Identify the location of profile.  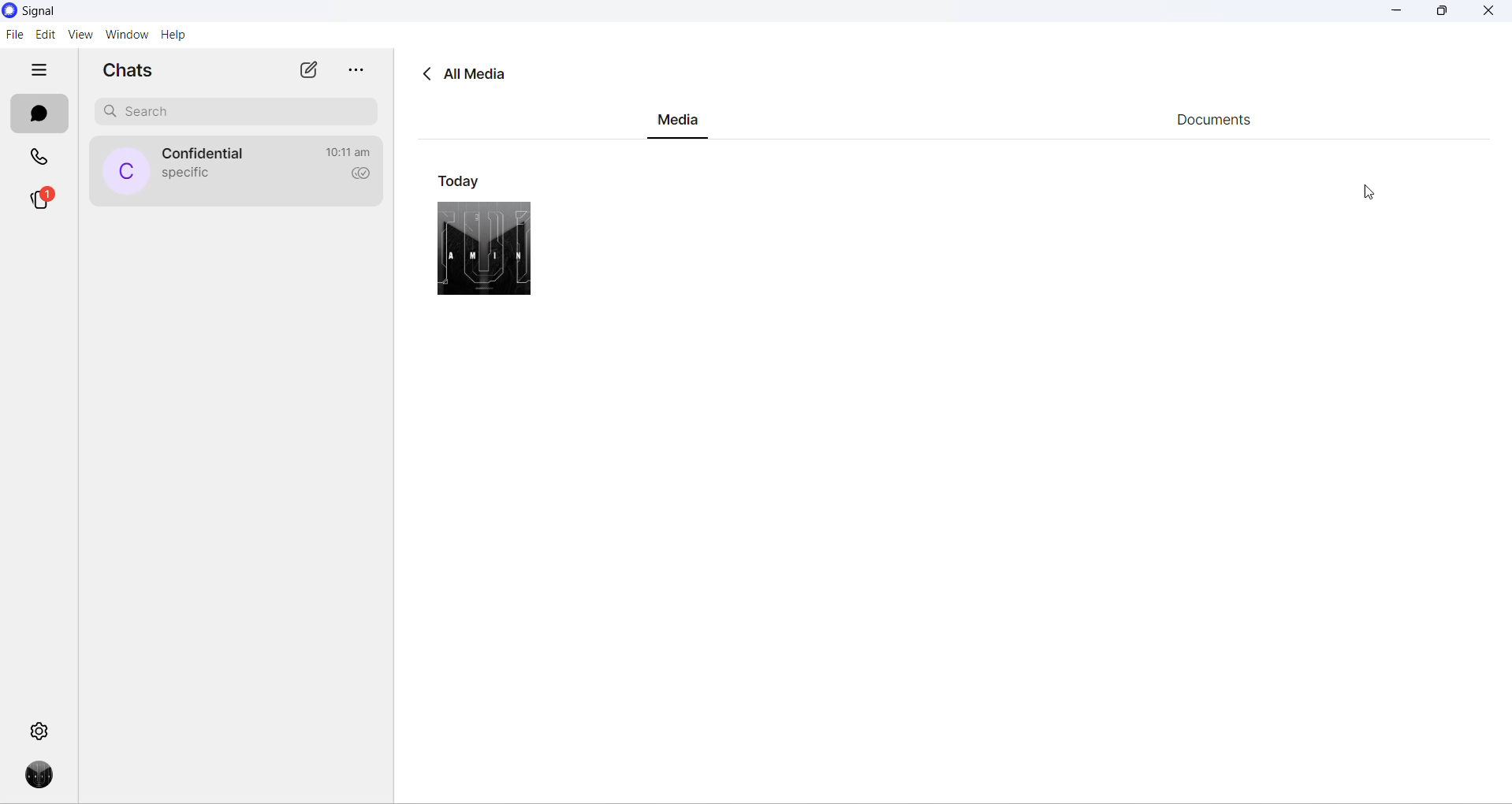
(42, 776).